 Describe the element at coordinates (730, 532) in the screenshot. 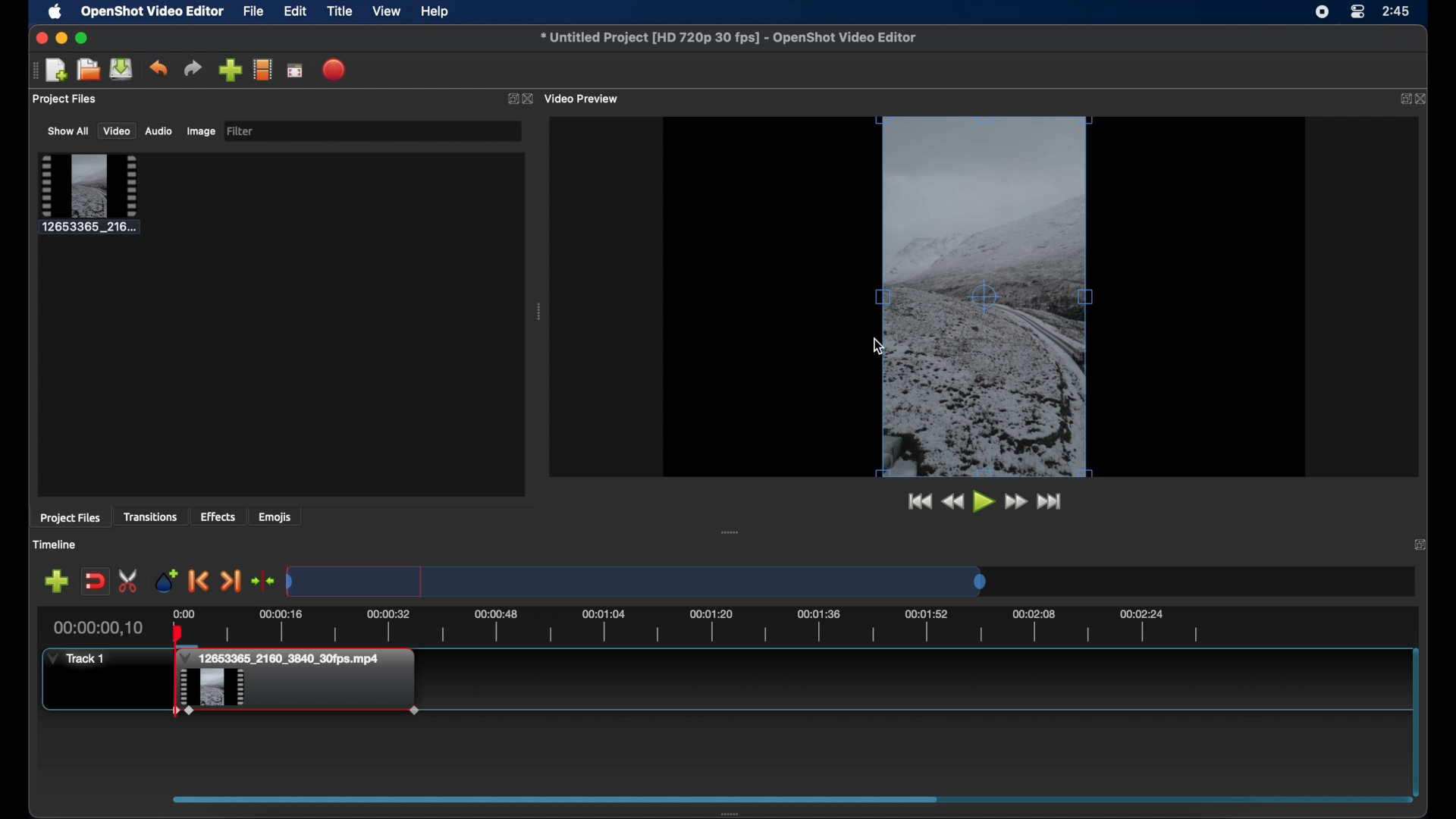

I see `drag handle` at that location.